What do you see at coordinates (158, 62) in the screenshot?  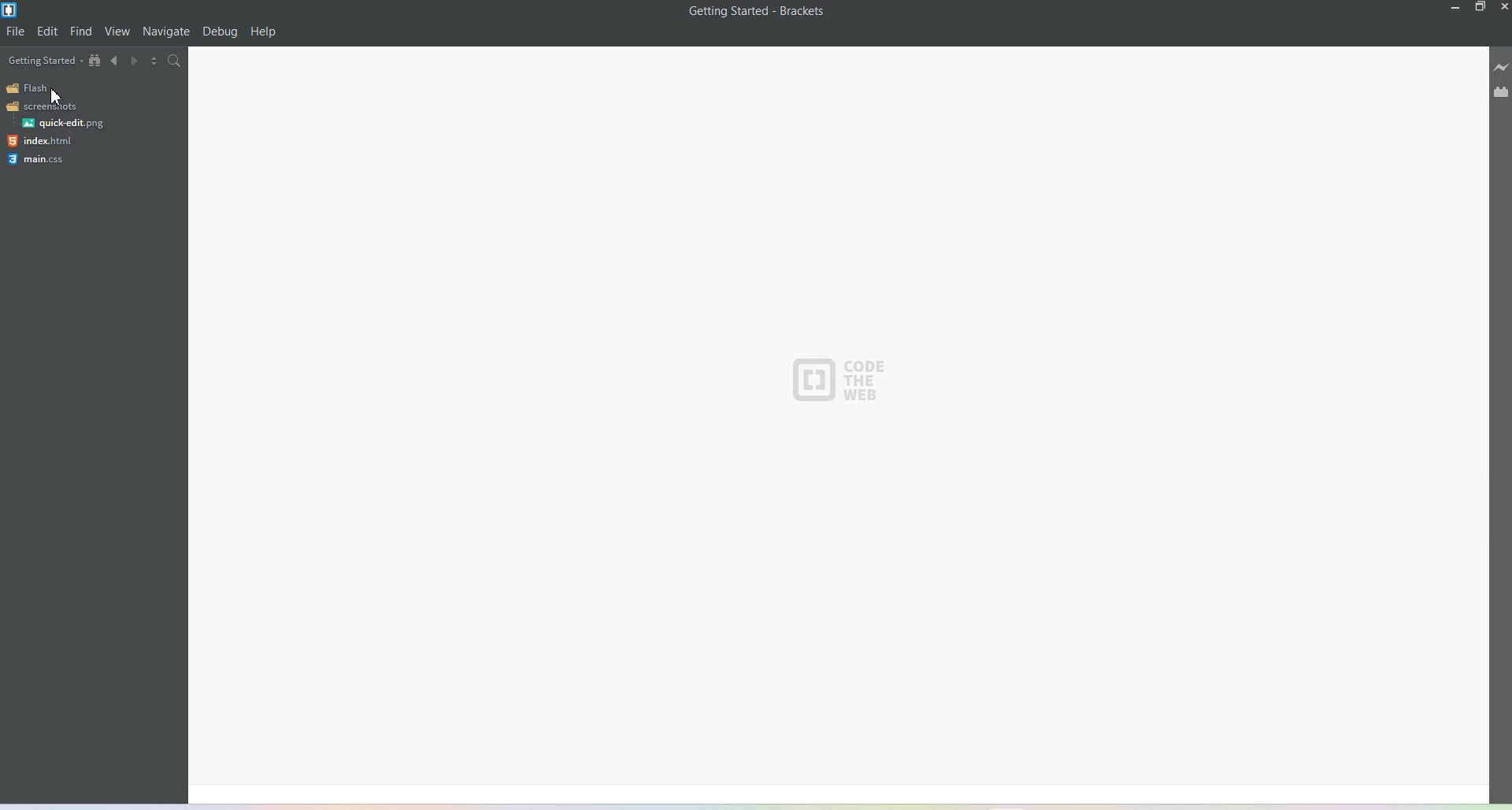 I see `Split the editor vertically or Horizontally` at bounding box center [158, 62].